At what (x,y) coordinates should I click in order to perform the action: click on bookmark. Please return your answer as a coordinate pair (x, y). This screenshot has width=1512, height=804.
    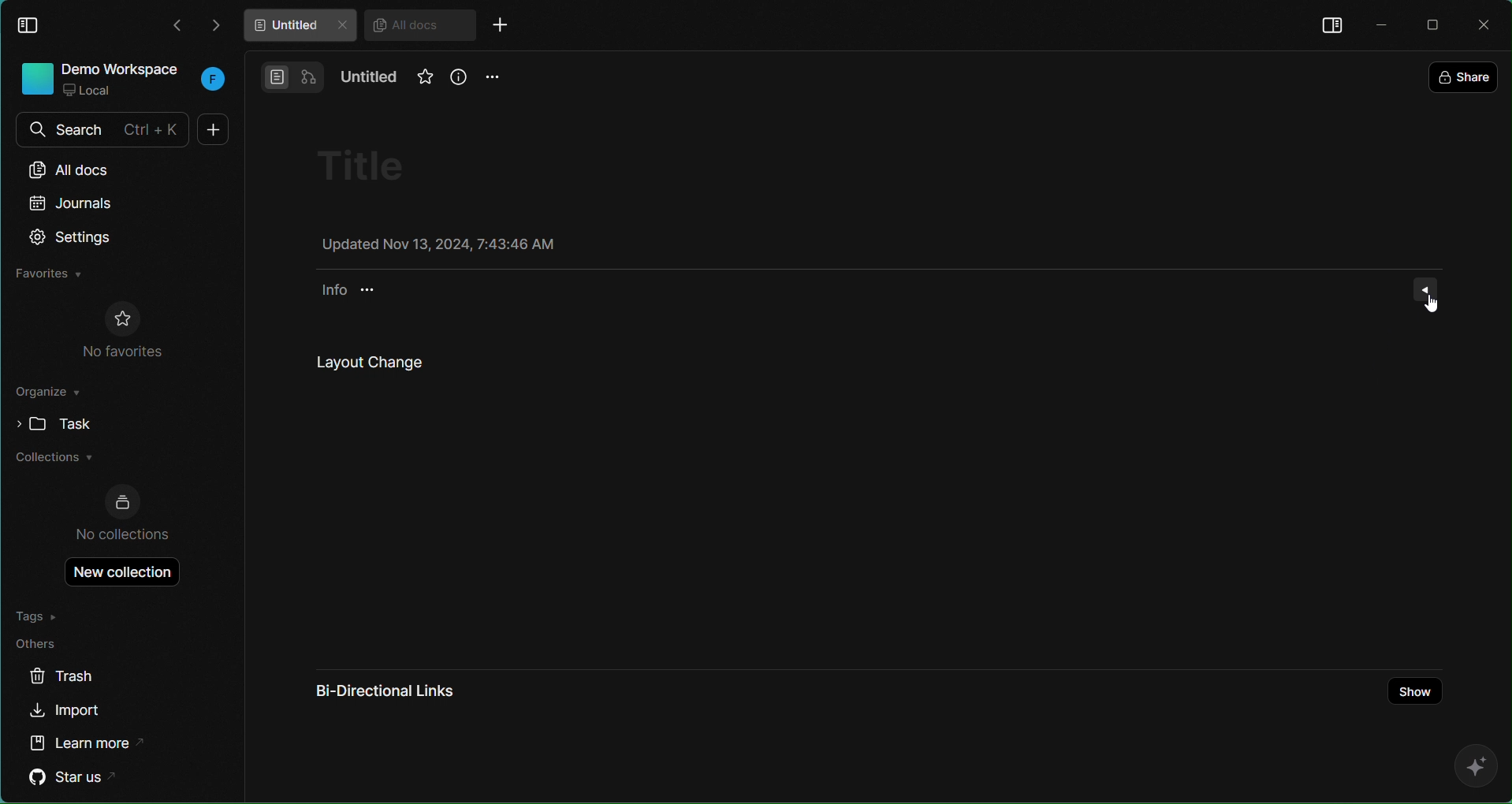
    Looking at the image, I should click on (419, 83).